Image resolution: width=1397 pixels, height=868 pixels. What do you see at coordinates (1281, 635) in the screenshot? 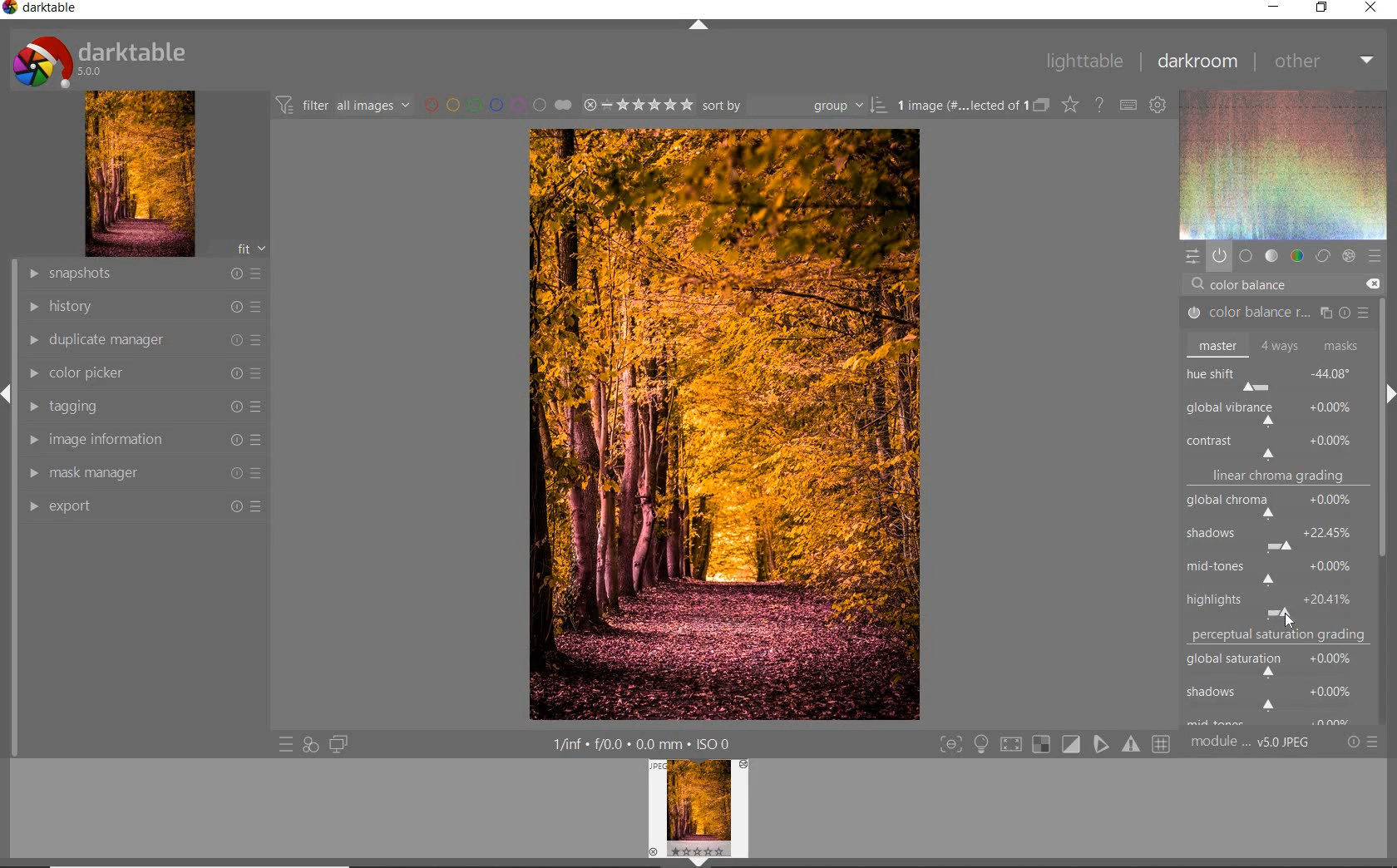
I see `perceptual saturation grading` at bounding box center [1281, 635].